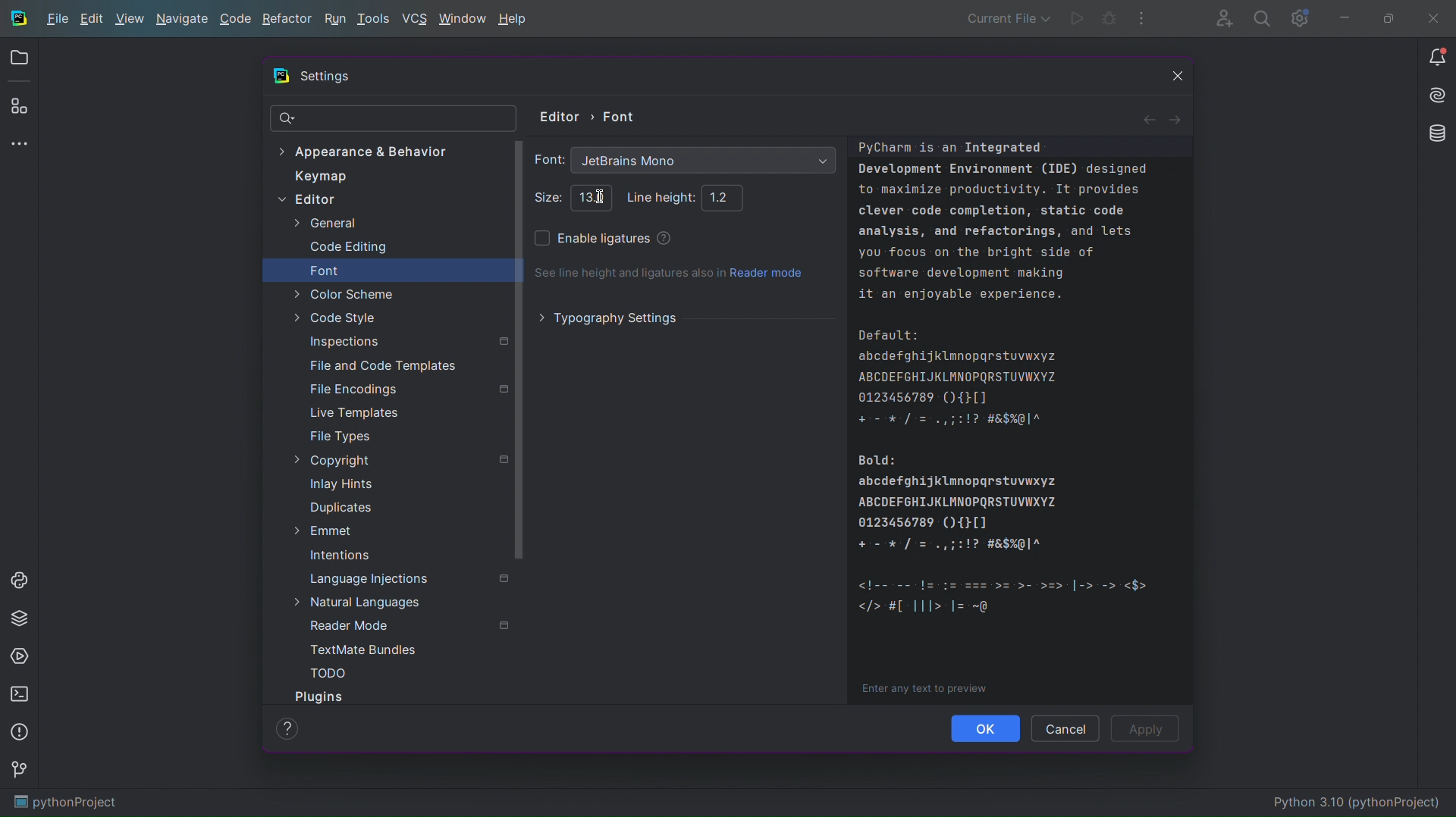 This screenshot has height=817, width=1456. I want to click on Bug Test, so click(1109, 19).